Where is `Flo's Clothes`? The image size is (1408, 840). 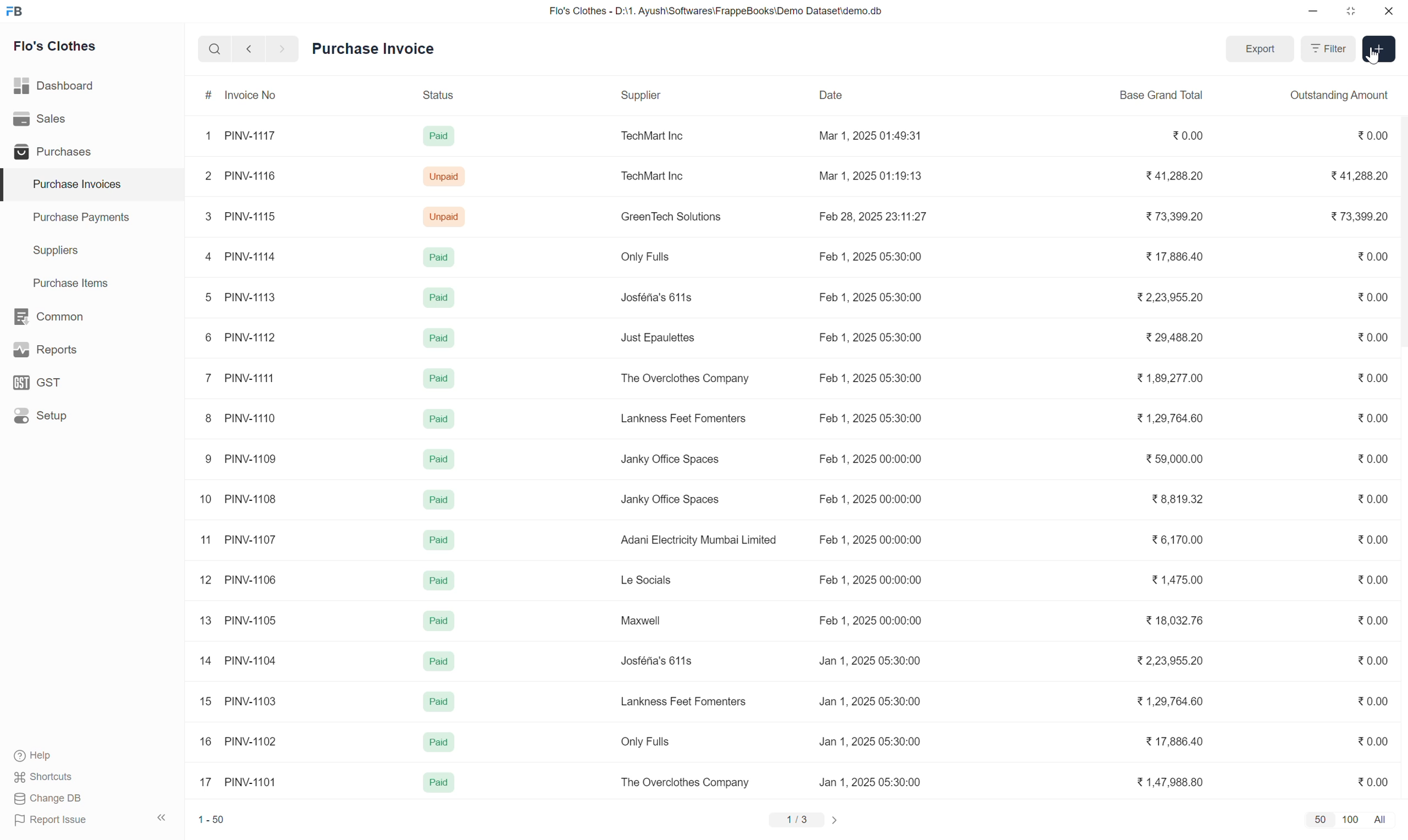 Flo's Clothes is located at coordinates (55, 46).